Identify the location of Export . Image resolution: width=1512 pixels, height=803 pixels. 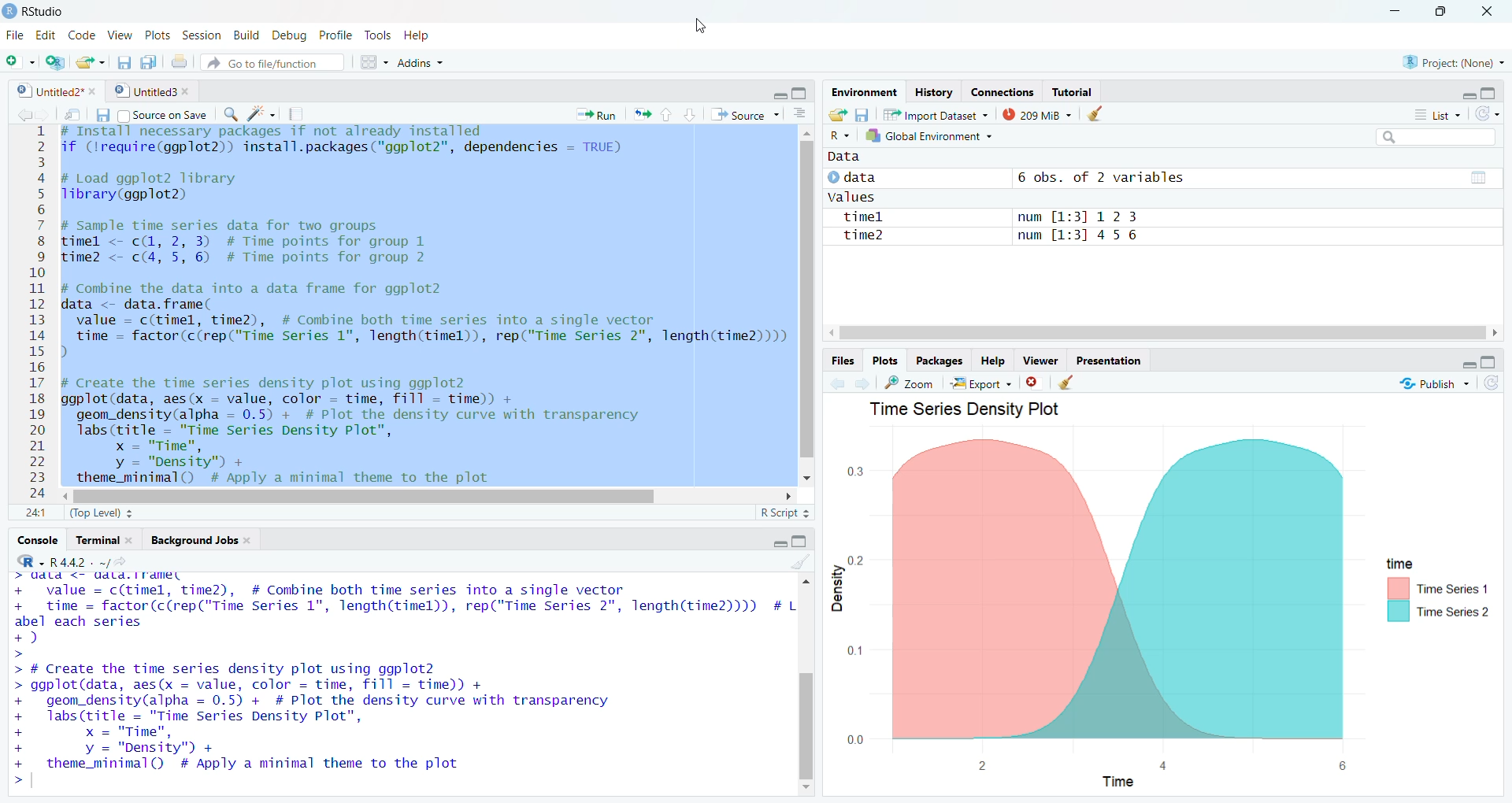
(981, 383).